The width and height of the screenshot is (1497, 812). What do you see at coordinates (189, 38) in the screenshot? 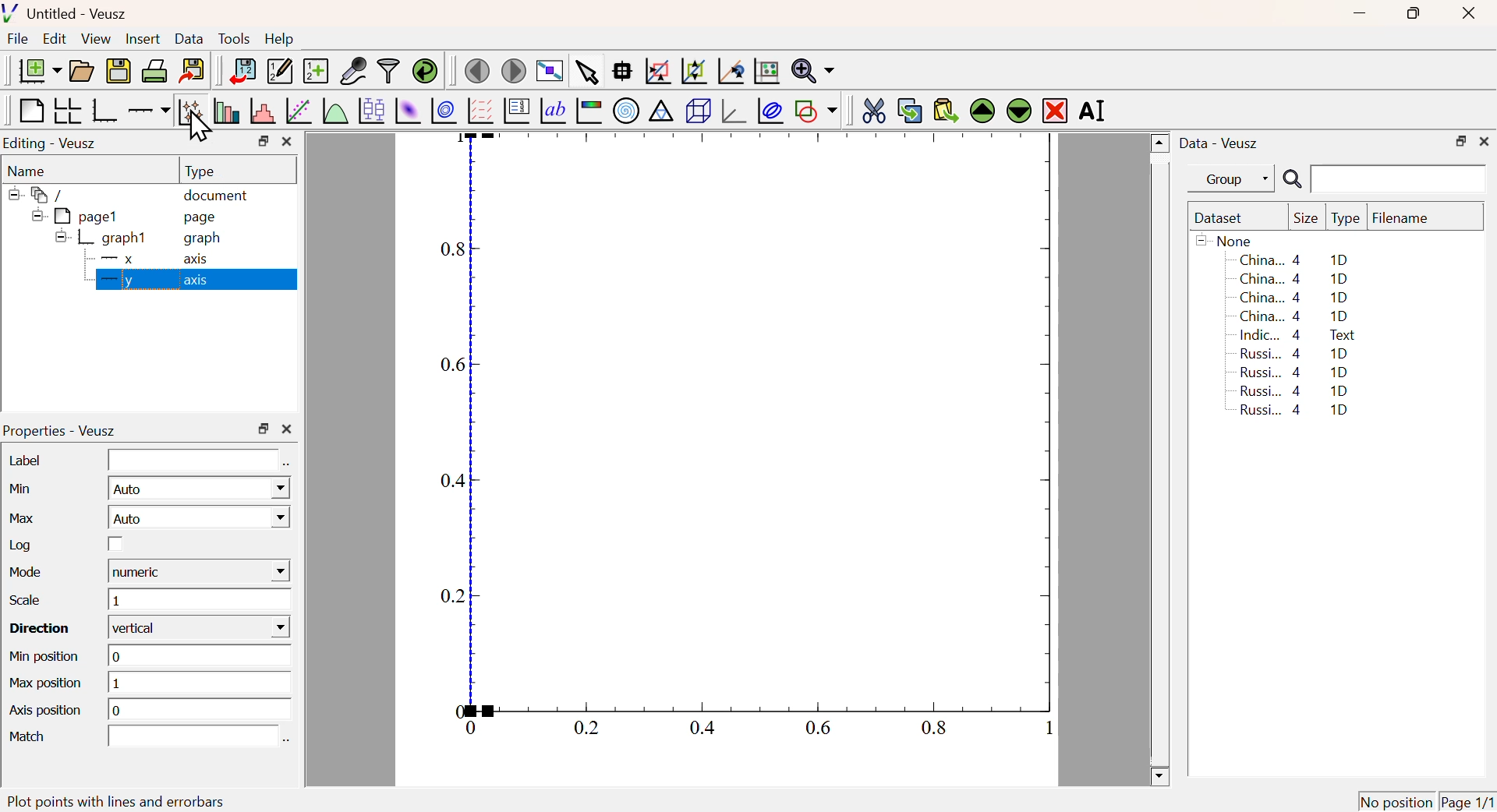
I see `Data` at bounding box center [189, 38].